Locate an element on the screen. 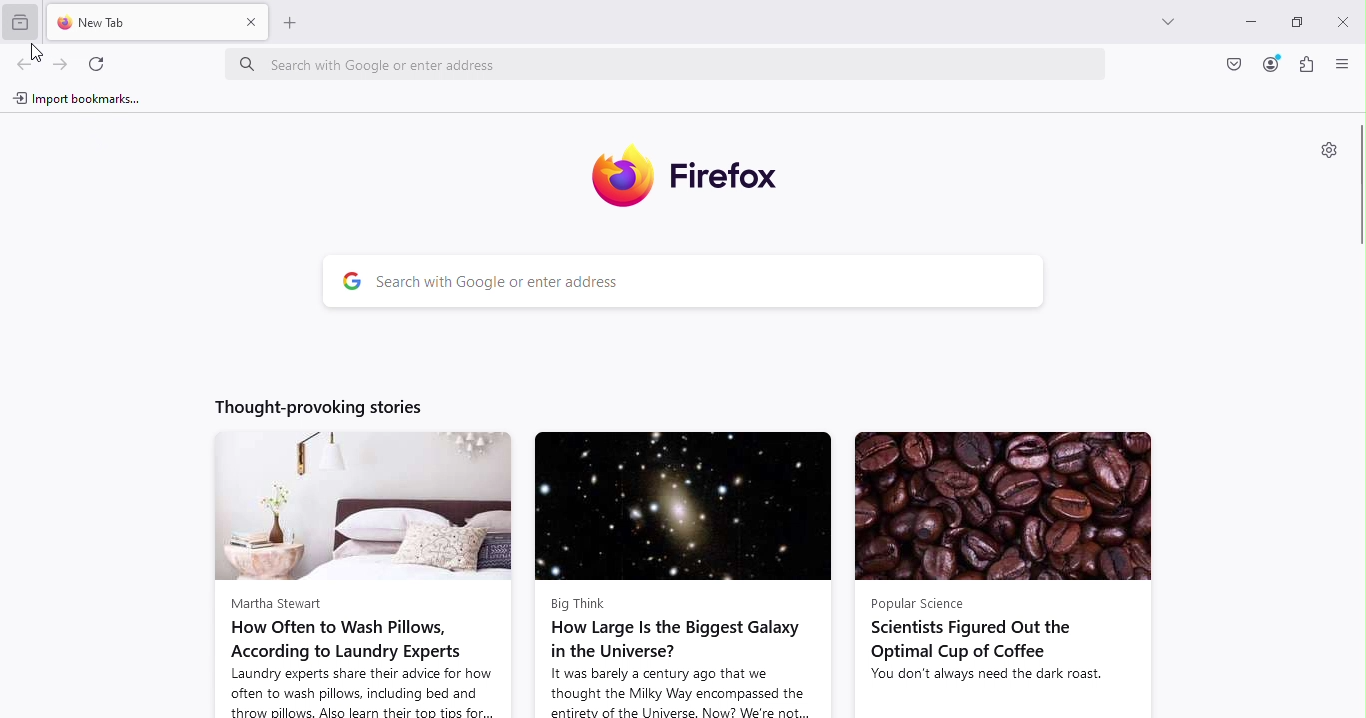 The height and width of the screenshot is (718, 1366). Close tab is located at coordinates (251, 23).